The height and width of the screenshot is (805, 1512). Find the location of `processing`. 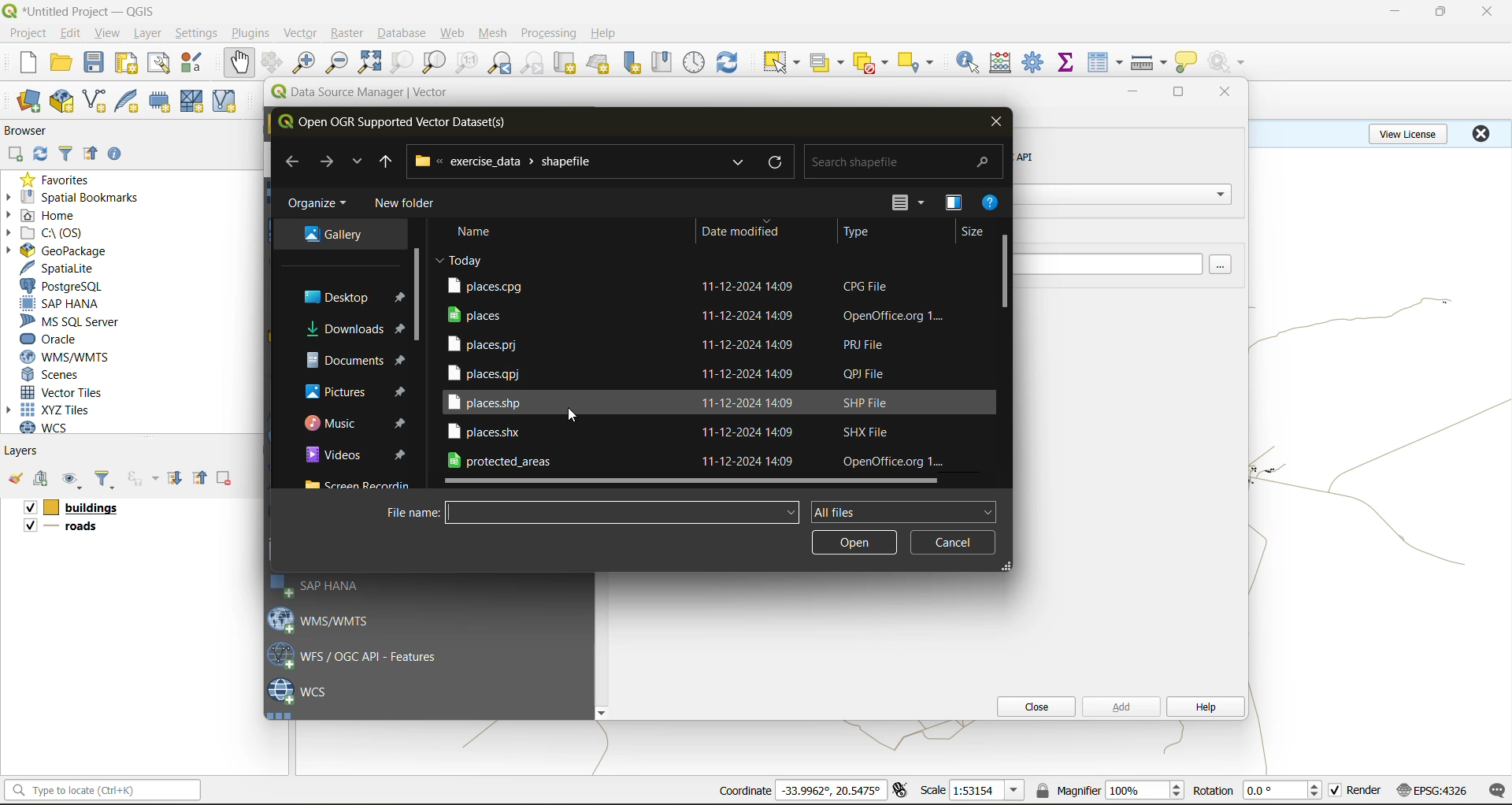

processing is located at coordinates (549, 34).